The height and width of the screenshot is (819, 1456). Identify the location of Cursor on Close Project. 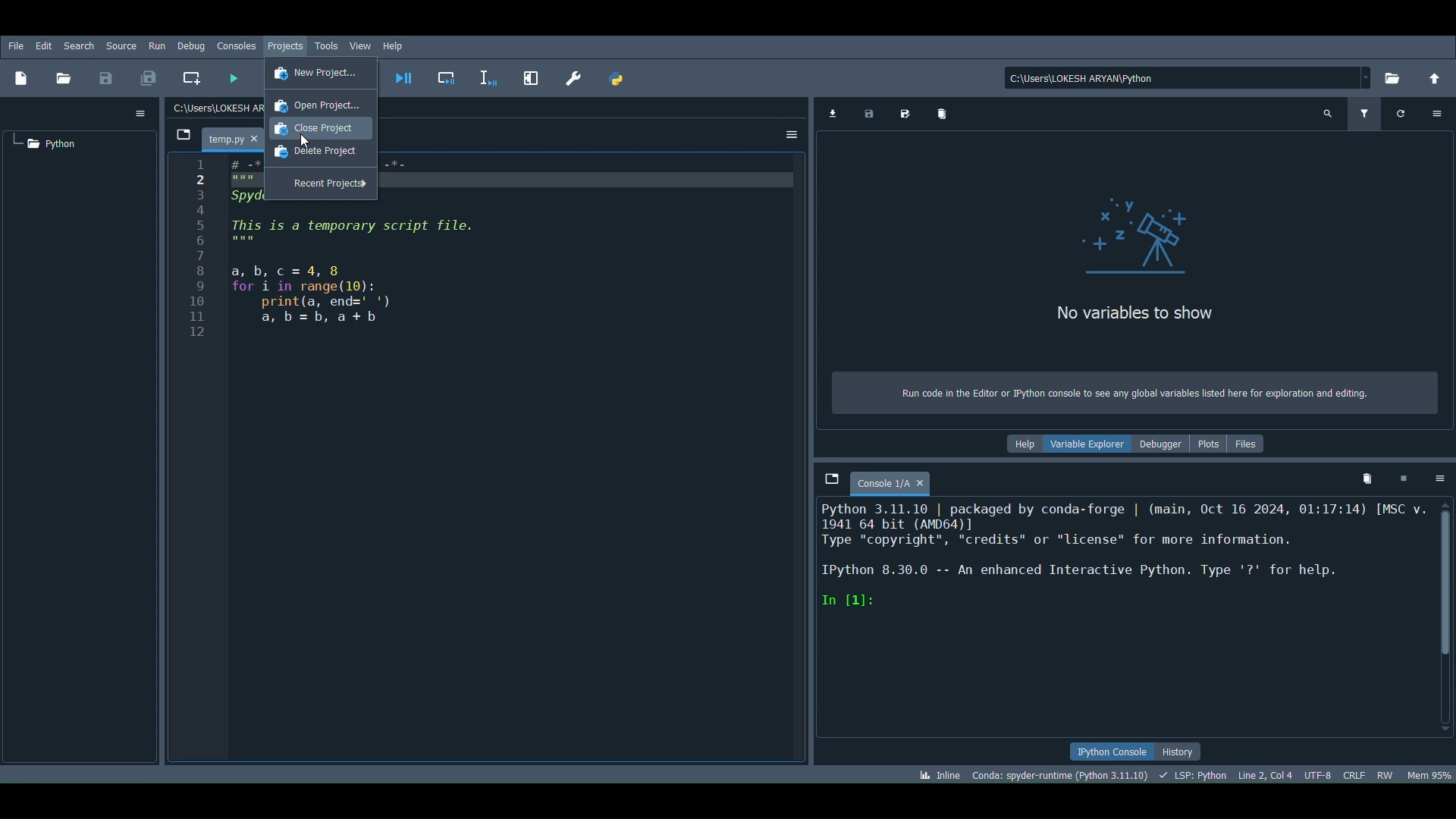
(309, 142).